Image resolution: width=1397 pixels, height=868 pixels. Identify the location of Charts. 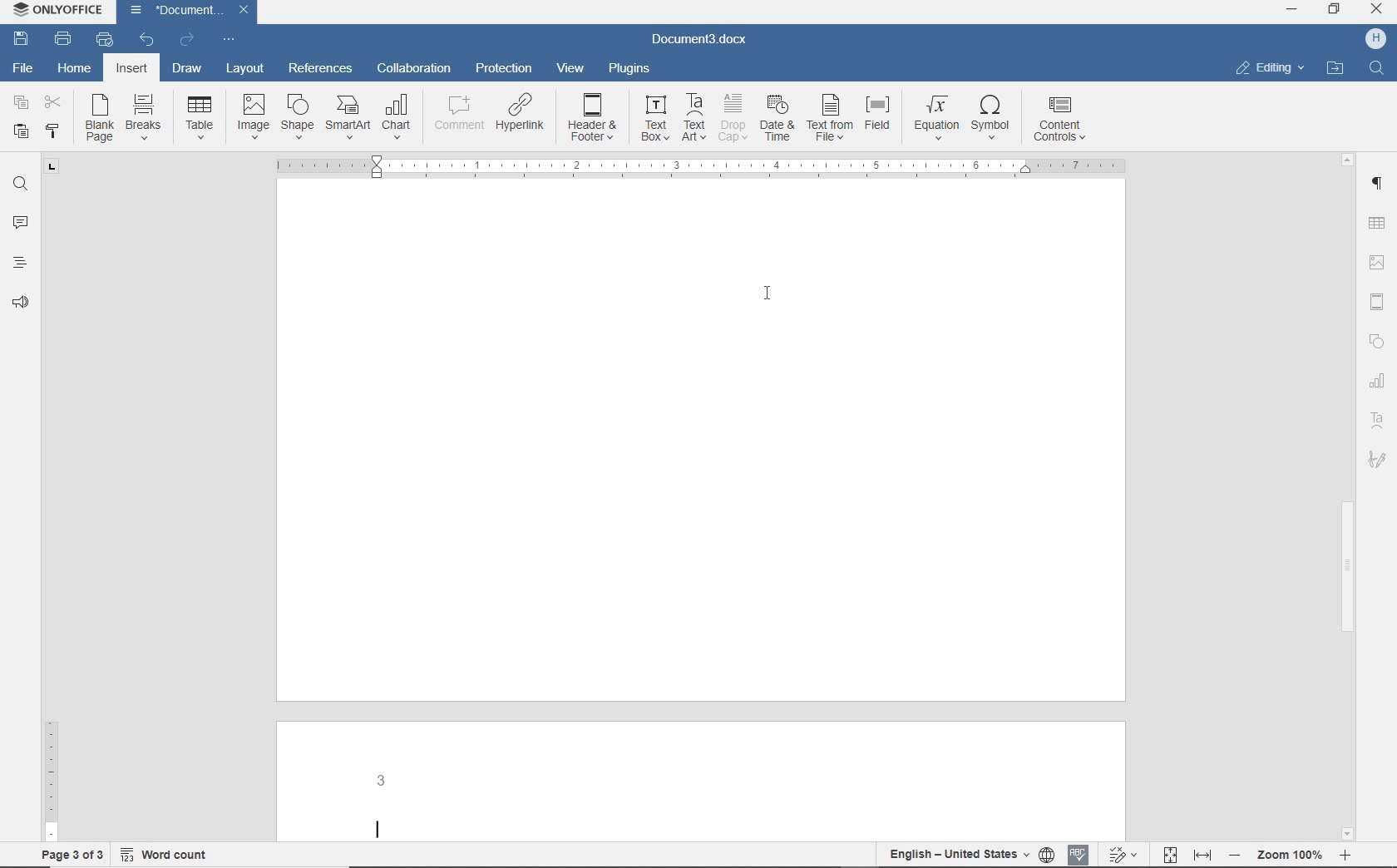
(1376, 377).